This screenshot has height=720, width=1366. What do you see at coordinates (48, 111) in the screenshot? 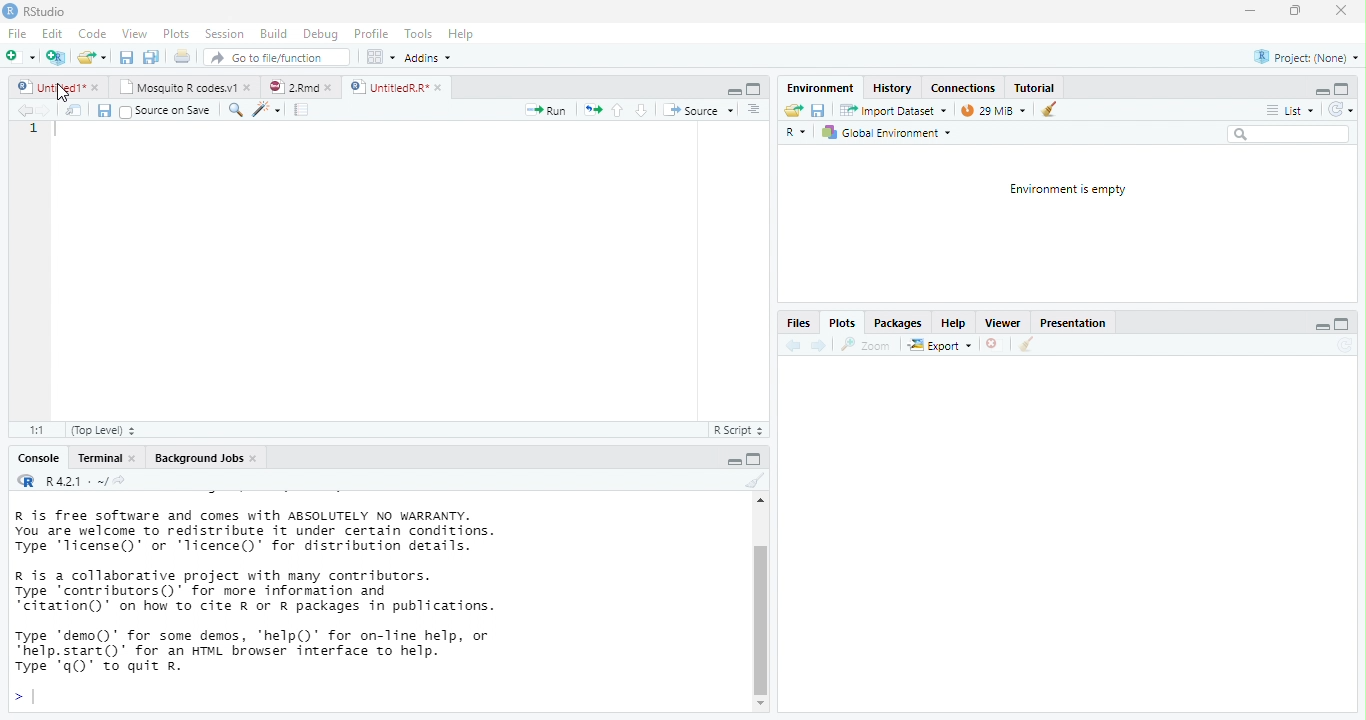
I see `next` at bounding box center [48, 111].